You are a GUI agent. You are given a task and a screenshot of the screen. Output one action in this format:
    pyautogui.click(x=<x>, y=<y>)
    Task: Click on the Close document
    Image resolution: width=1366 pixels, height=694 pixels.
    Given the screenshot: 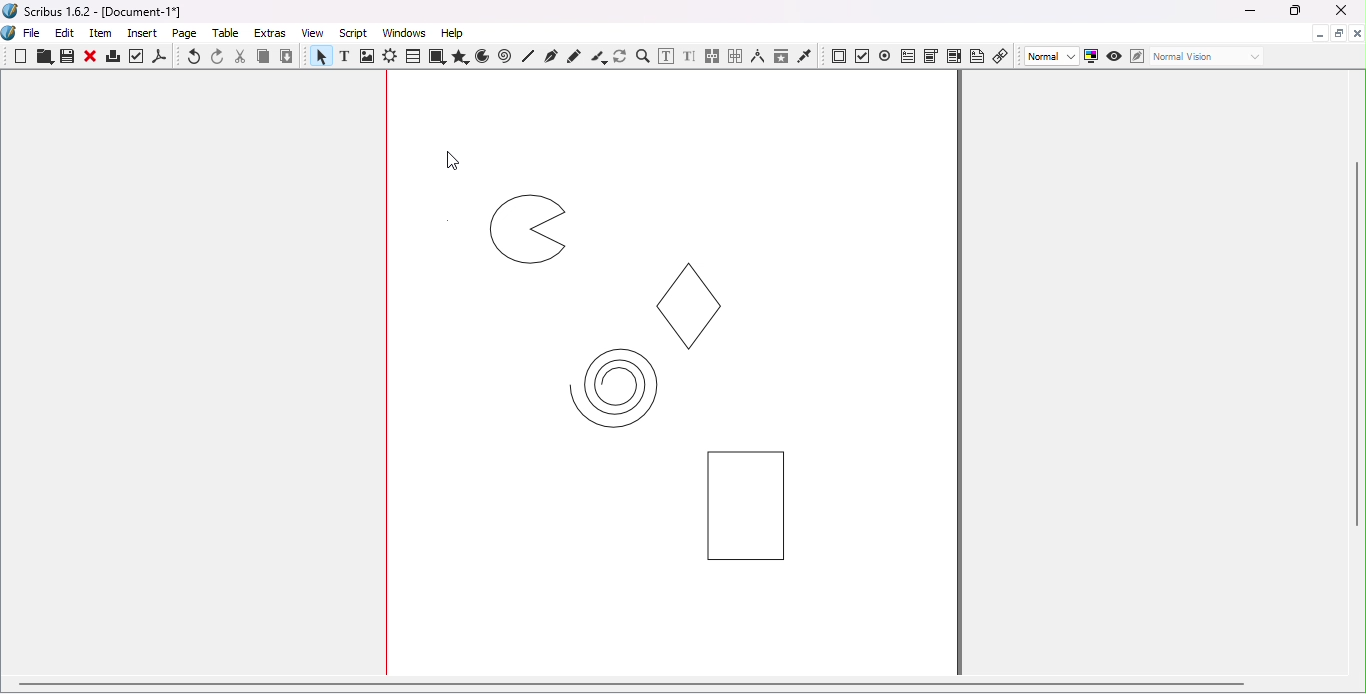 What is the action you would take?
    pyautogui.click(x=1357, y=34)
    